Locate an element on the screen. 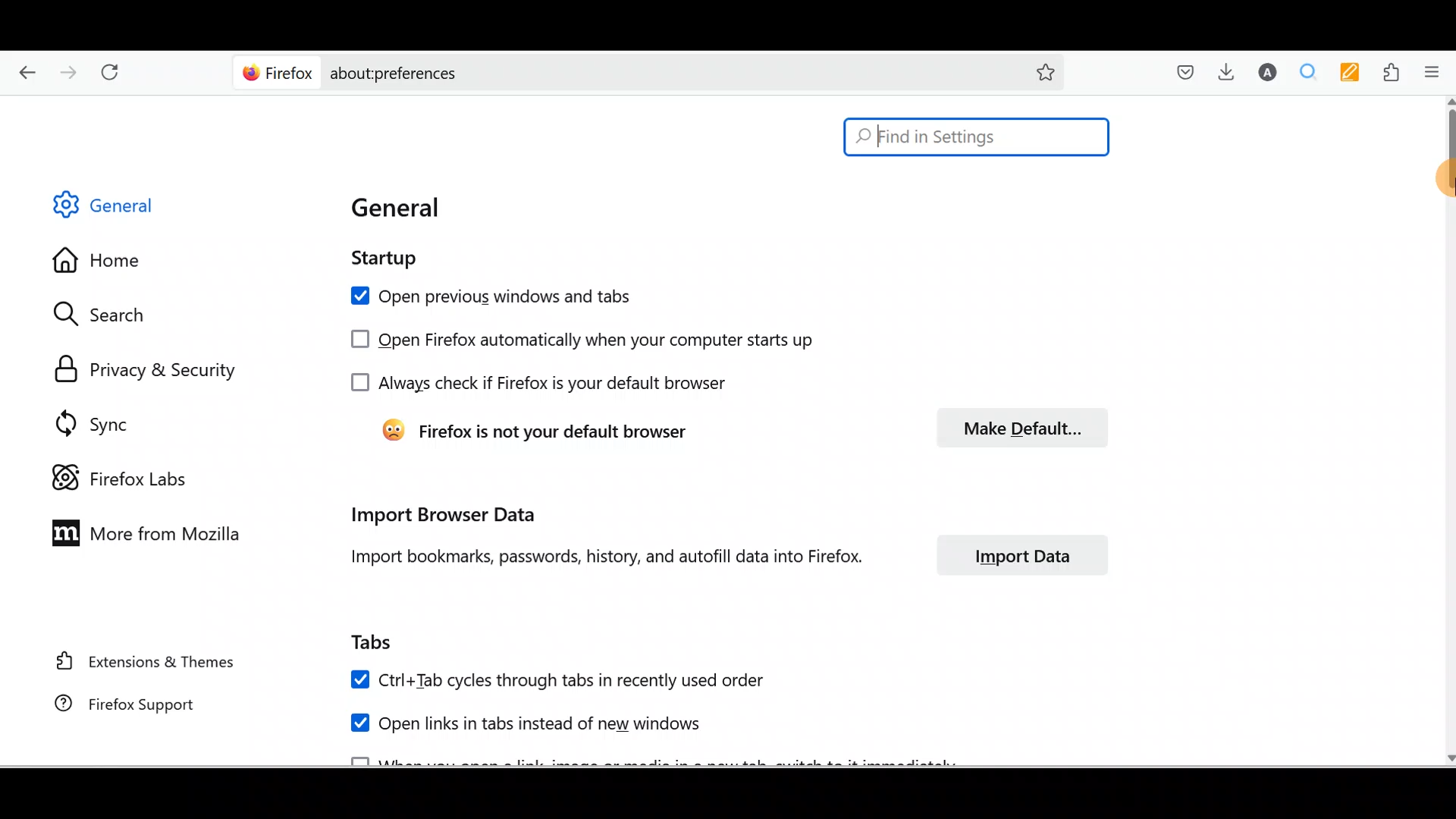  Search bar is located at coordinates (977, 137).